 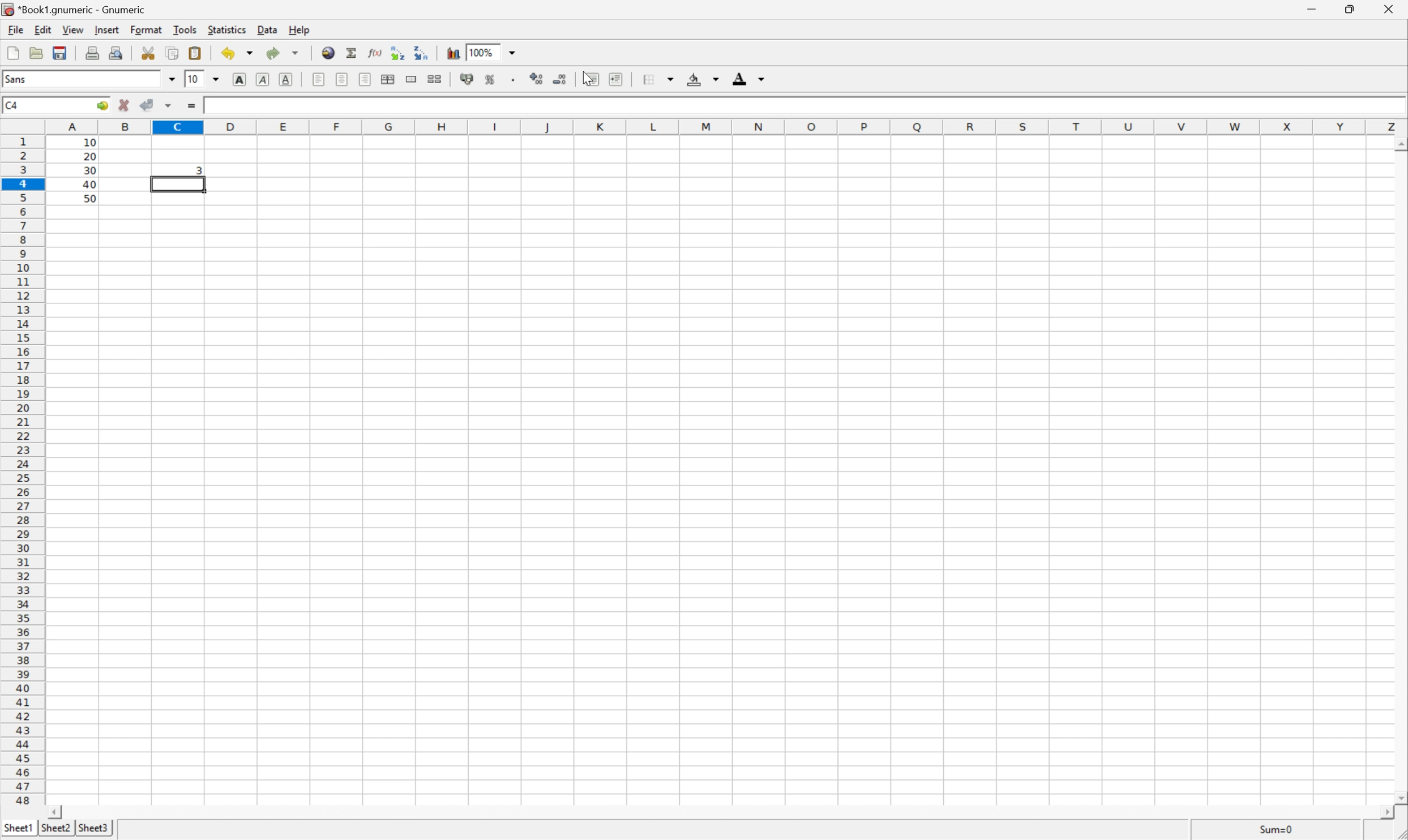 What do you see at coordinates (12, 50) in the screenshot?
I see `File` at bounding box center [12, 50].